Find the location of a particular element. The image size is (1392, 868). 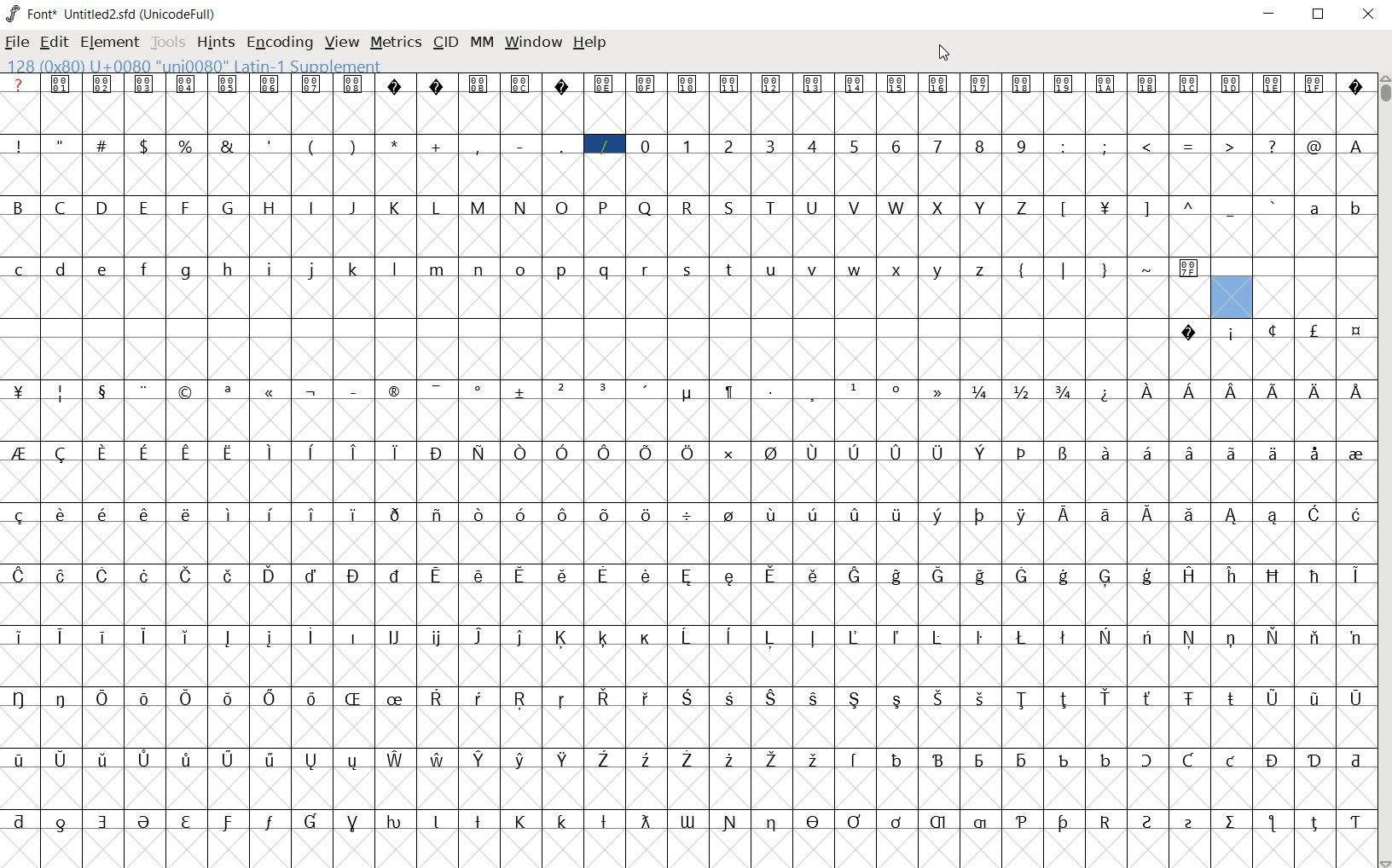

glyph is located at coordinates (981, 453).